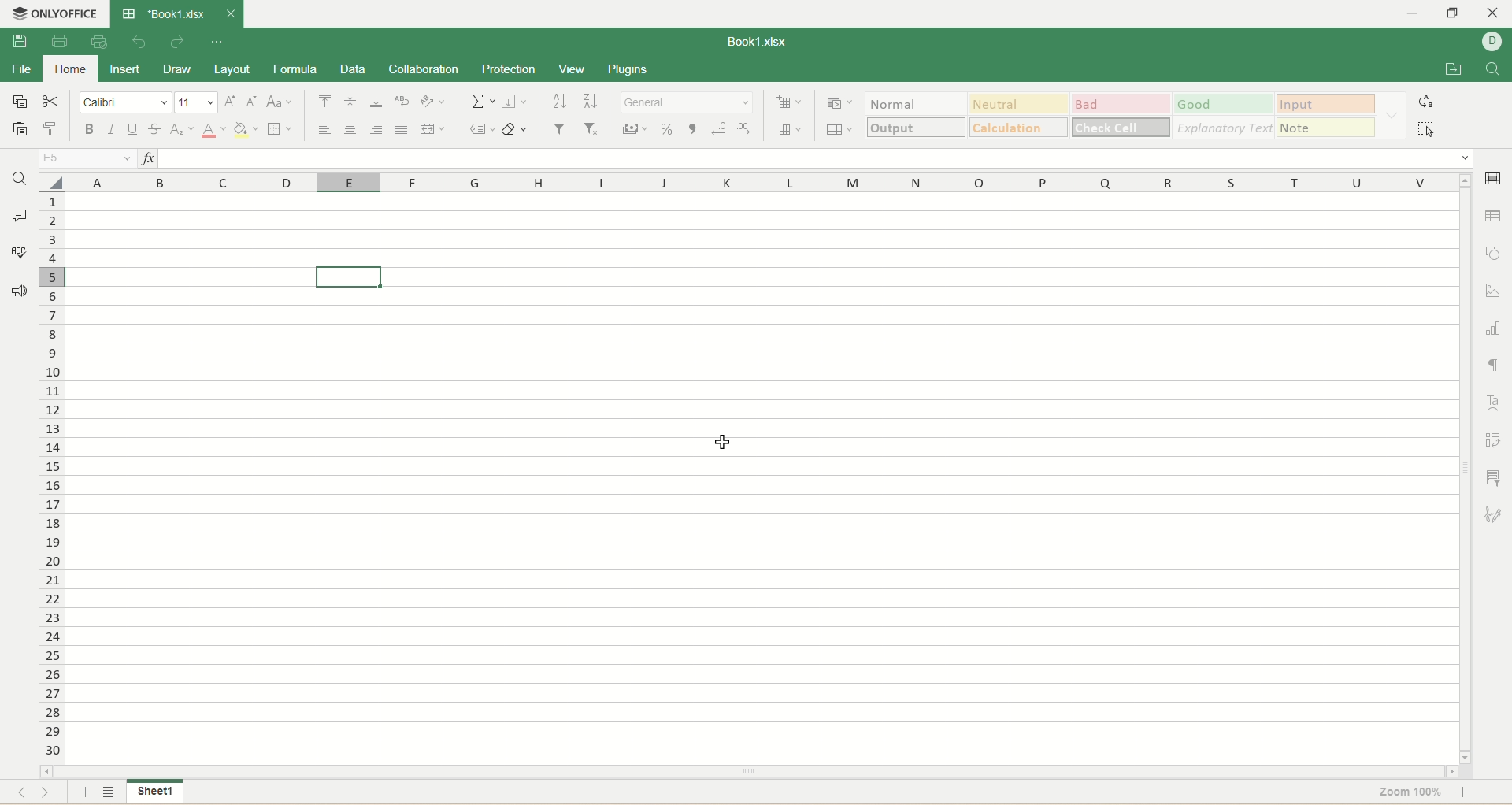 The image size is (1512, 805). Describe the element at coordinates (182, 45) in the screenshot. I see `redo` at that location.